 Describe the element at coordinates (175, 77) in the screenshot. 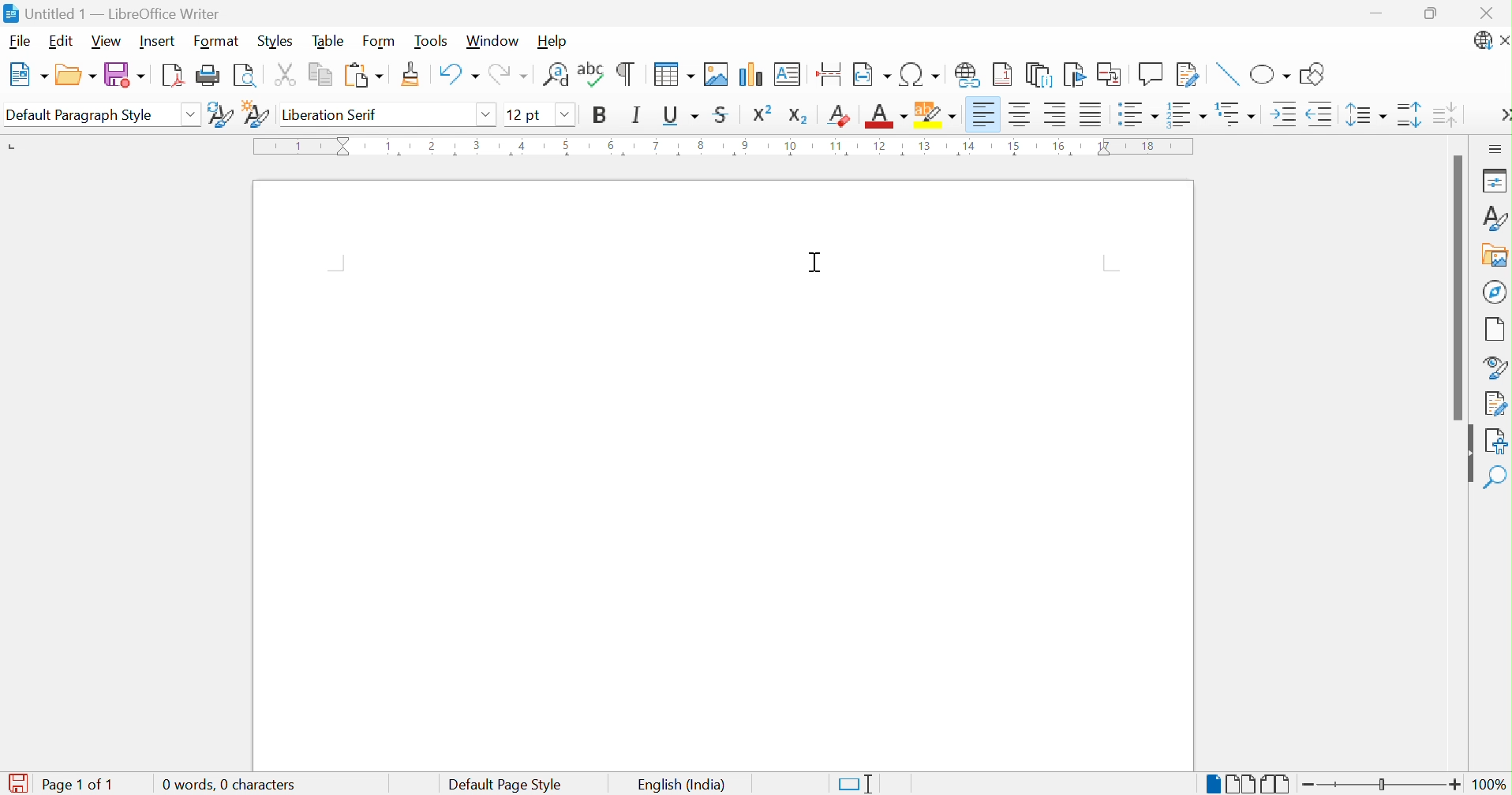

I see `Export as PDF` at that location.